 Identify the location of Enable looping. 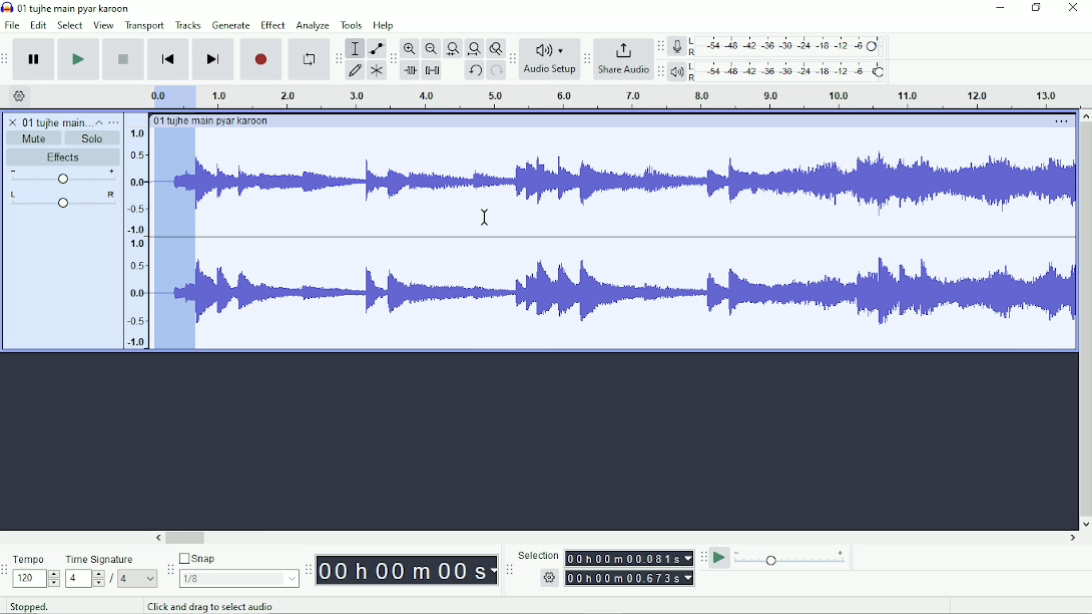
(307, 60).